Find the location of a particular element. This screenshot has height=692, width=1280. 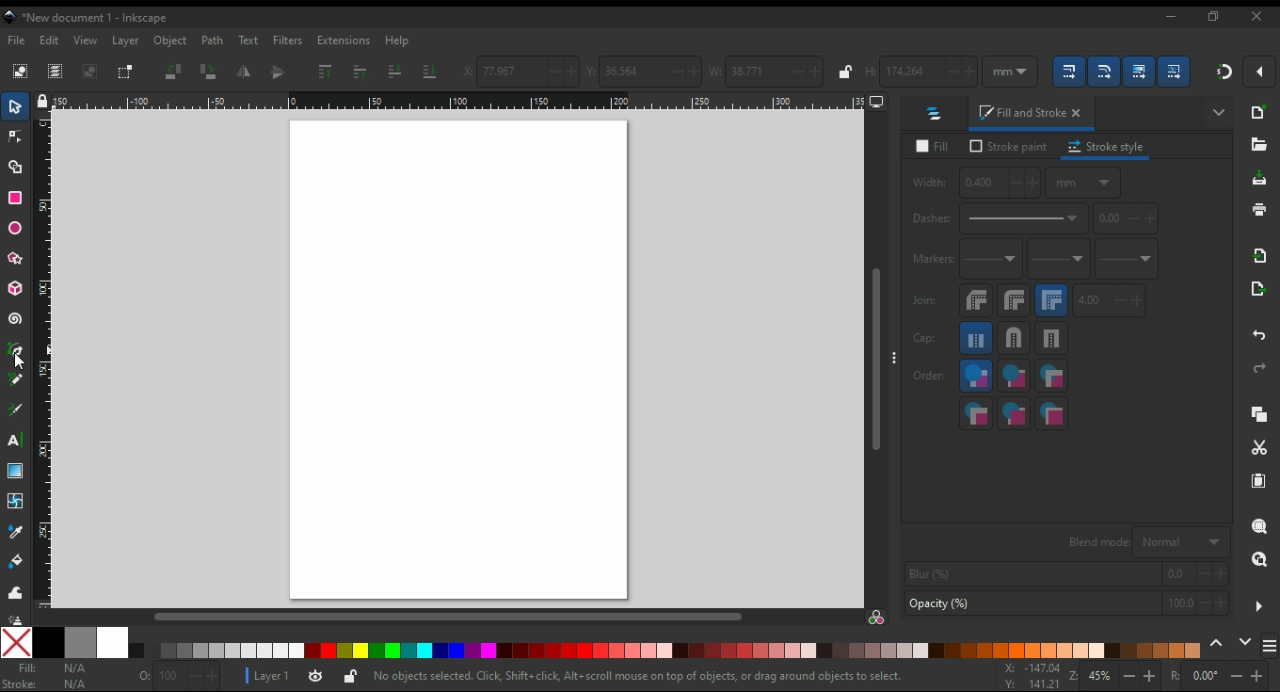

text tool is located at coordinates (16, 440).